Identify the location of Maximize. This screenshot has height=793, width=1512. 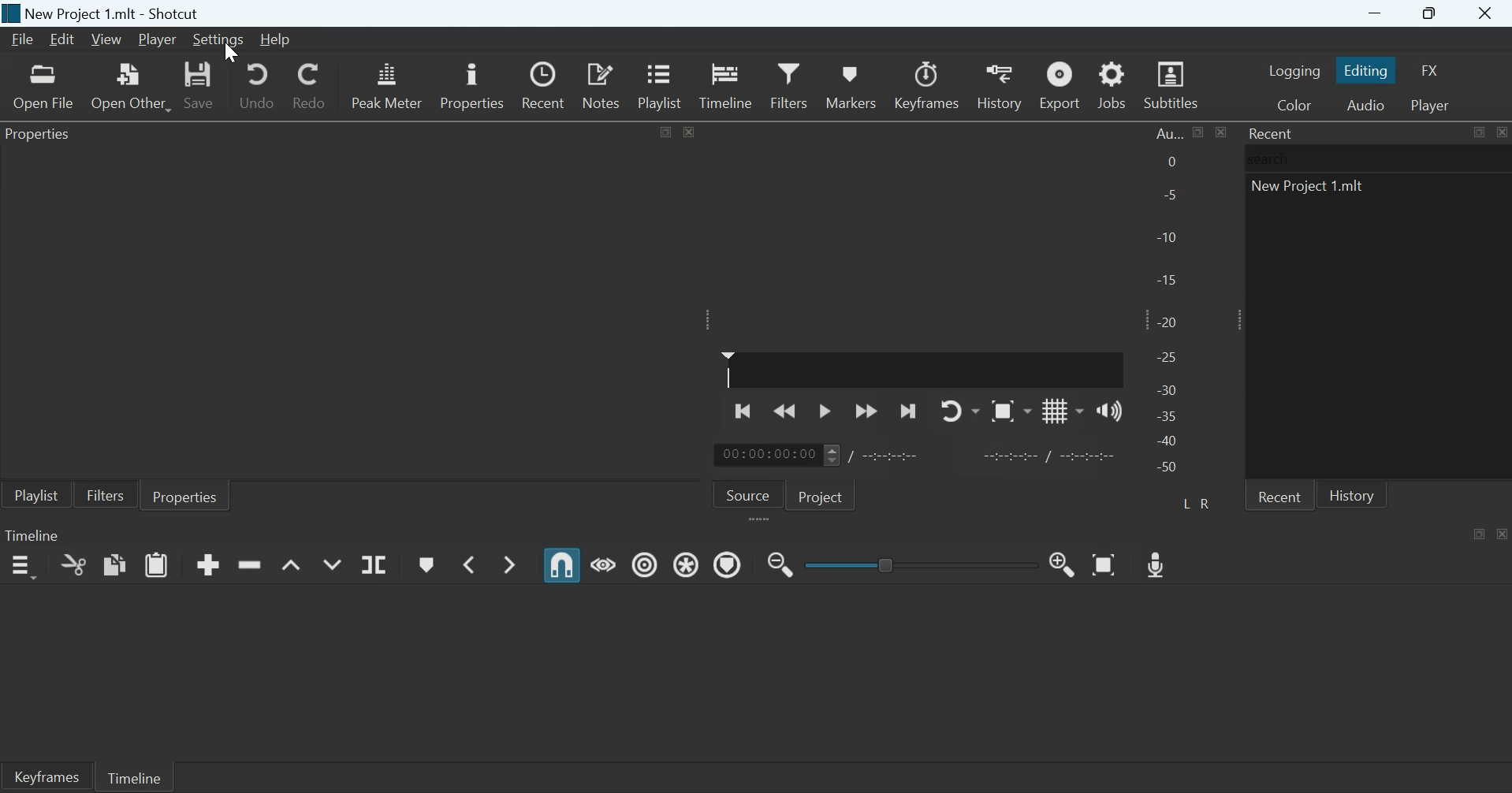
(1199, 132).